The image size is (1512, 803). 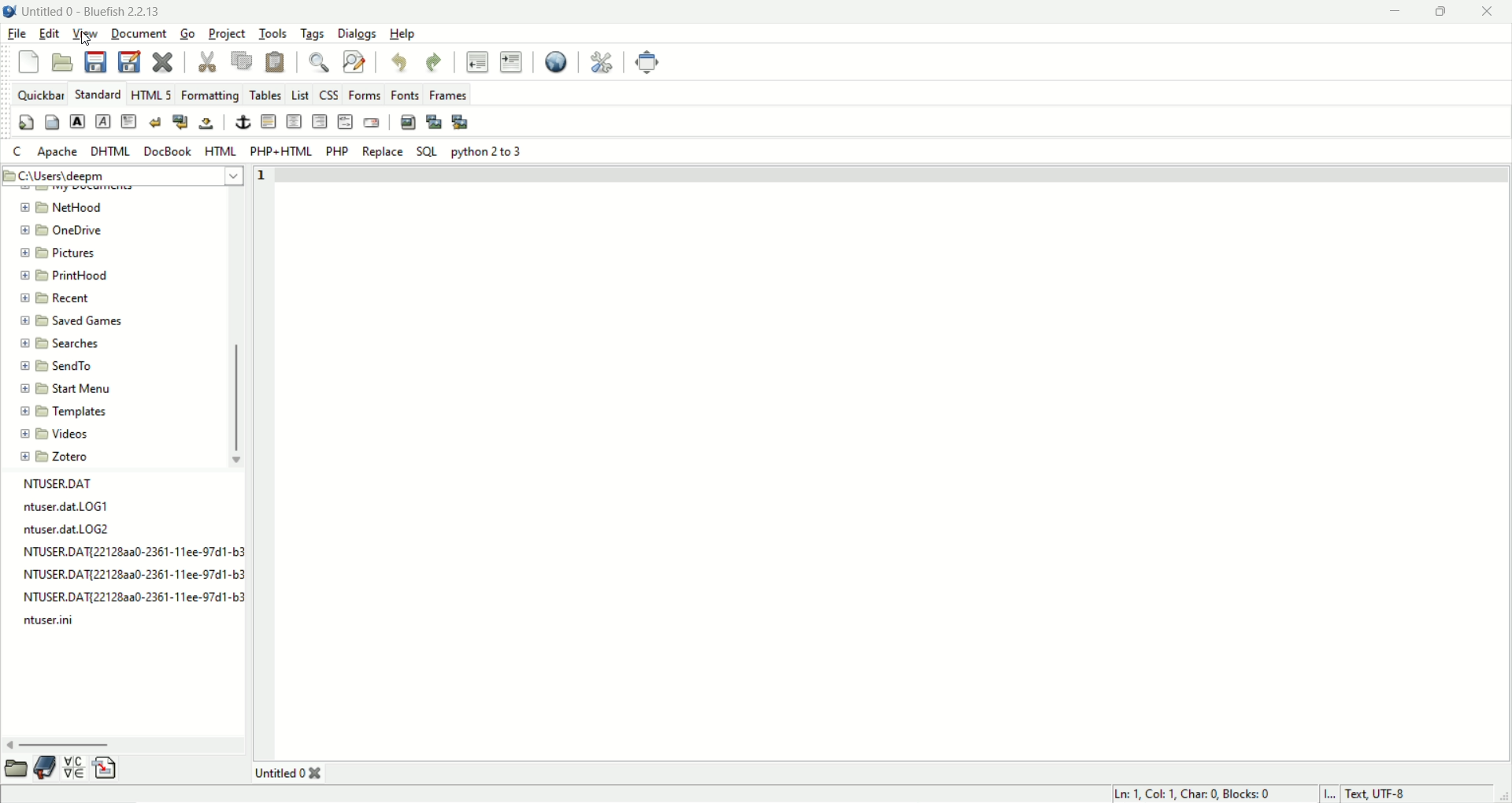 What do you see at coordinates (235, 327) in the screenshot?
I see `vertical scroll bar` at bounding box center [235, 327].